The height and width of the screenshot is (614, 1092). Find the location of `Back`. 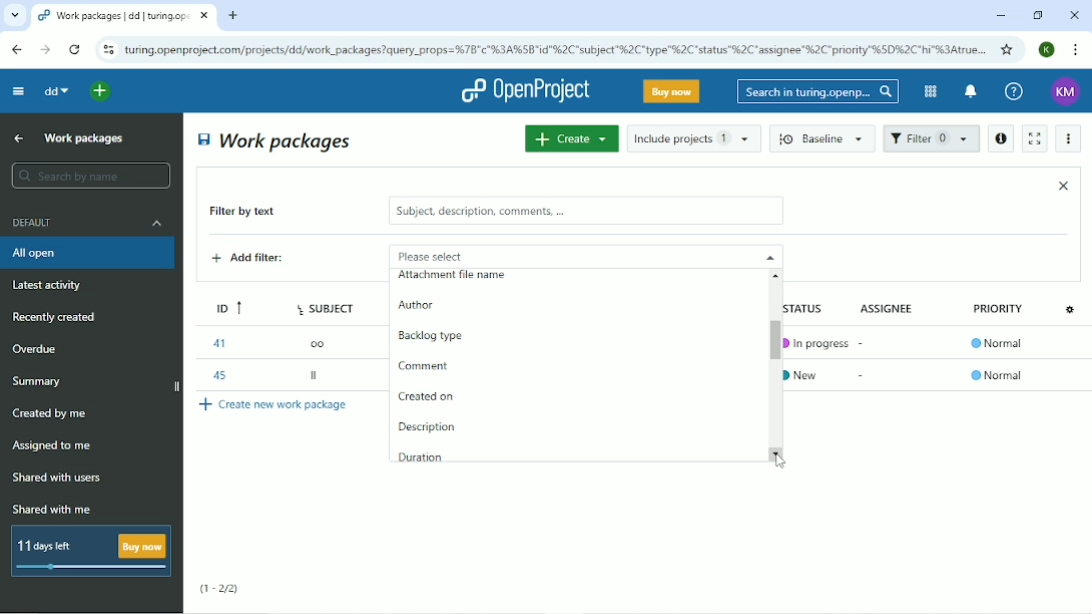

Back is located at coordinates (16, 49).